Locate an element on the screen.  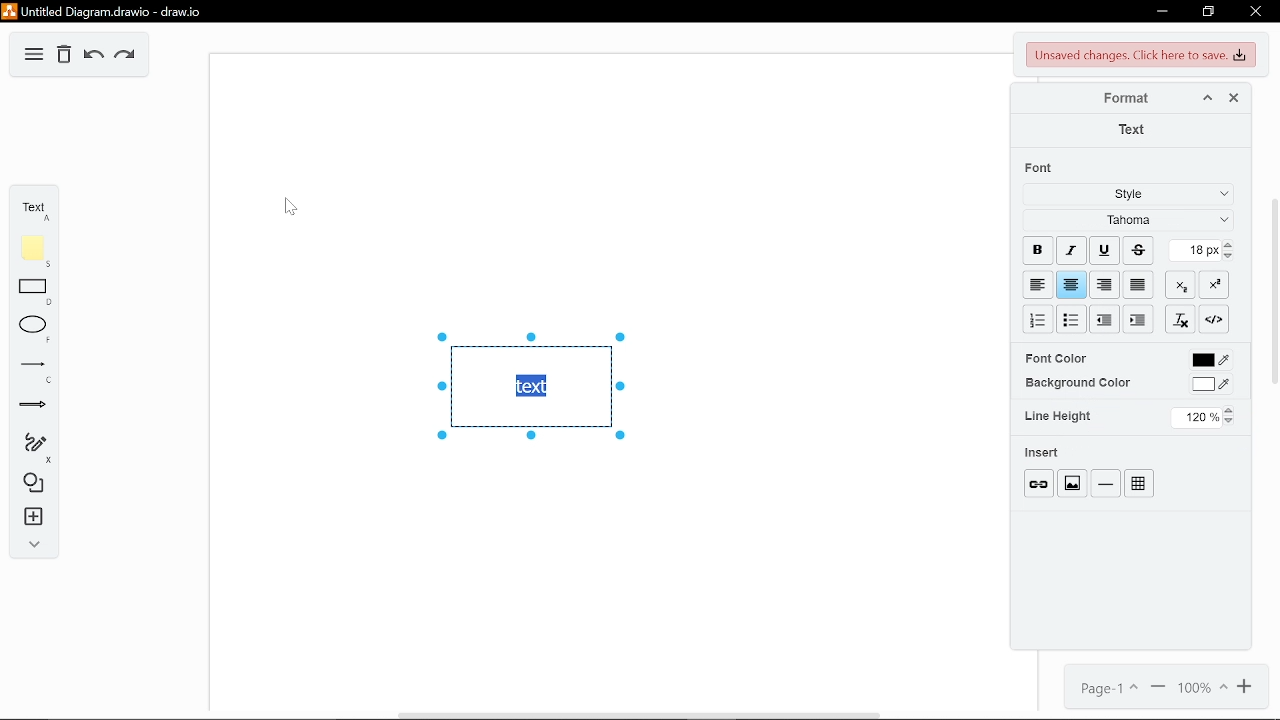
zoom out is located at coordinates (1158, 687).